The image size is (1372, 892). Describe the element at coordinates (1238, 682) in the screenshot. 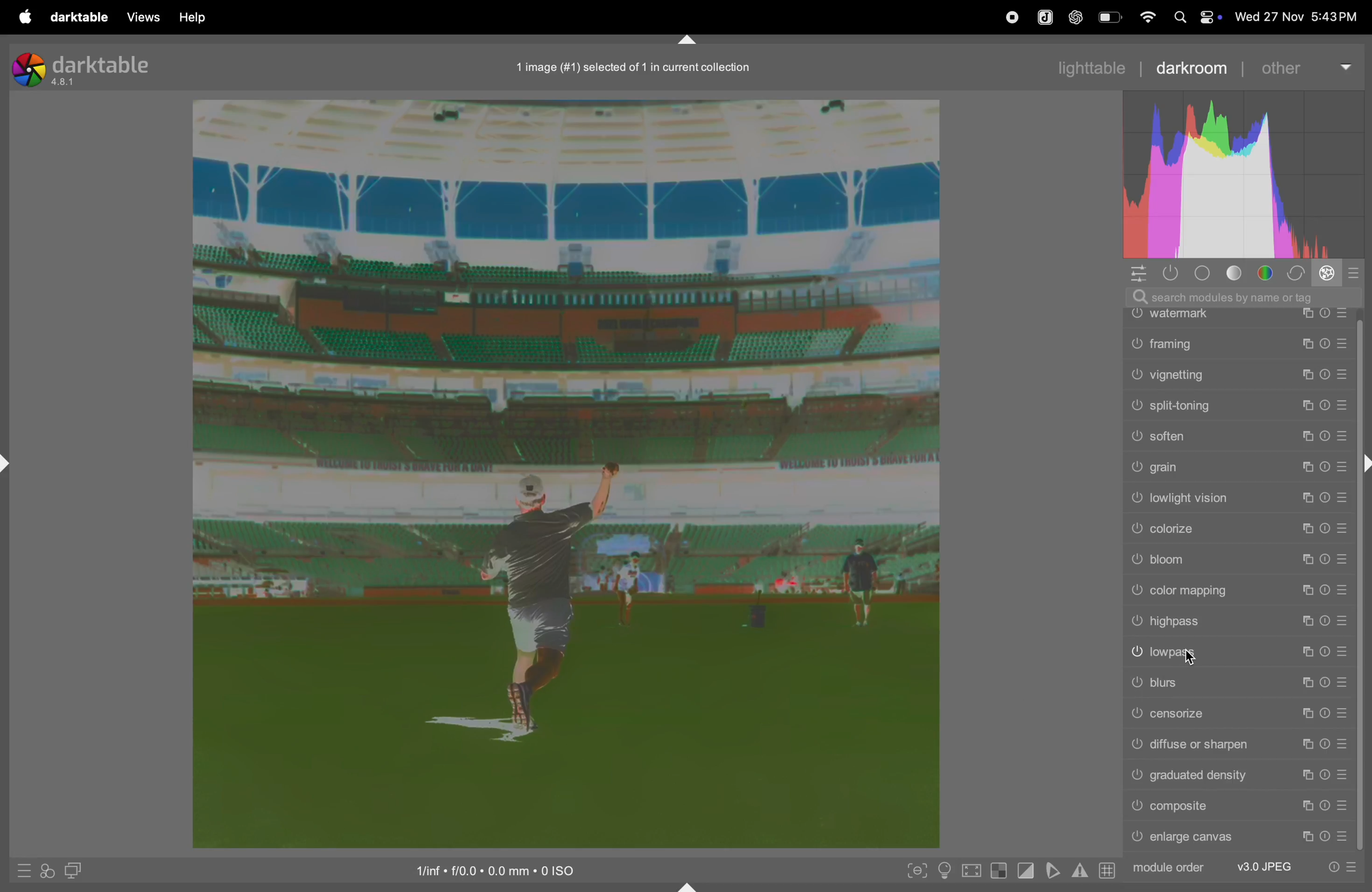

I see `blur` at that location.